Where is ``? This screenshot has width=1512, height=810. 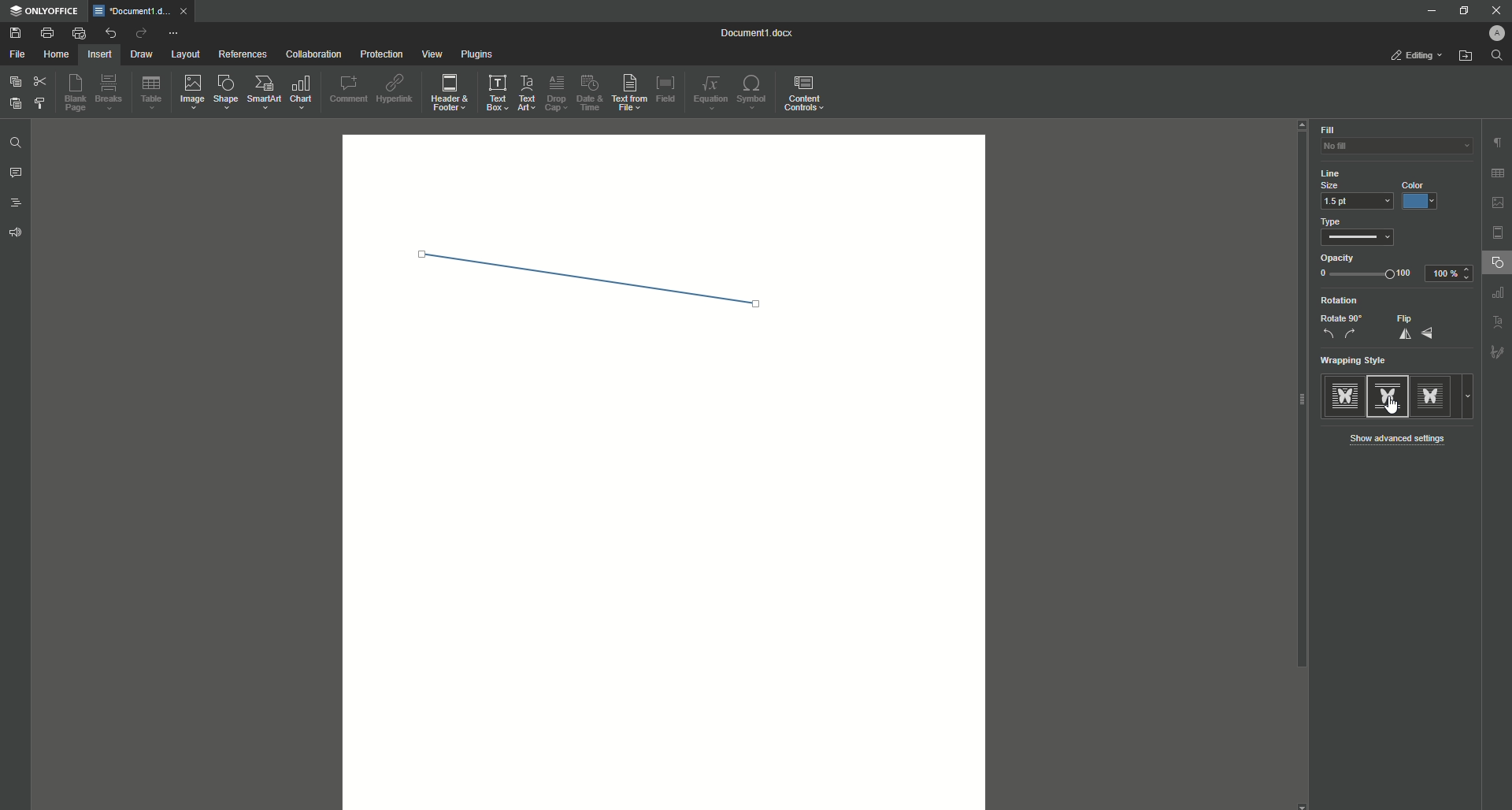
 is located at coordinates (1496, 295).